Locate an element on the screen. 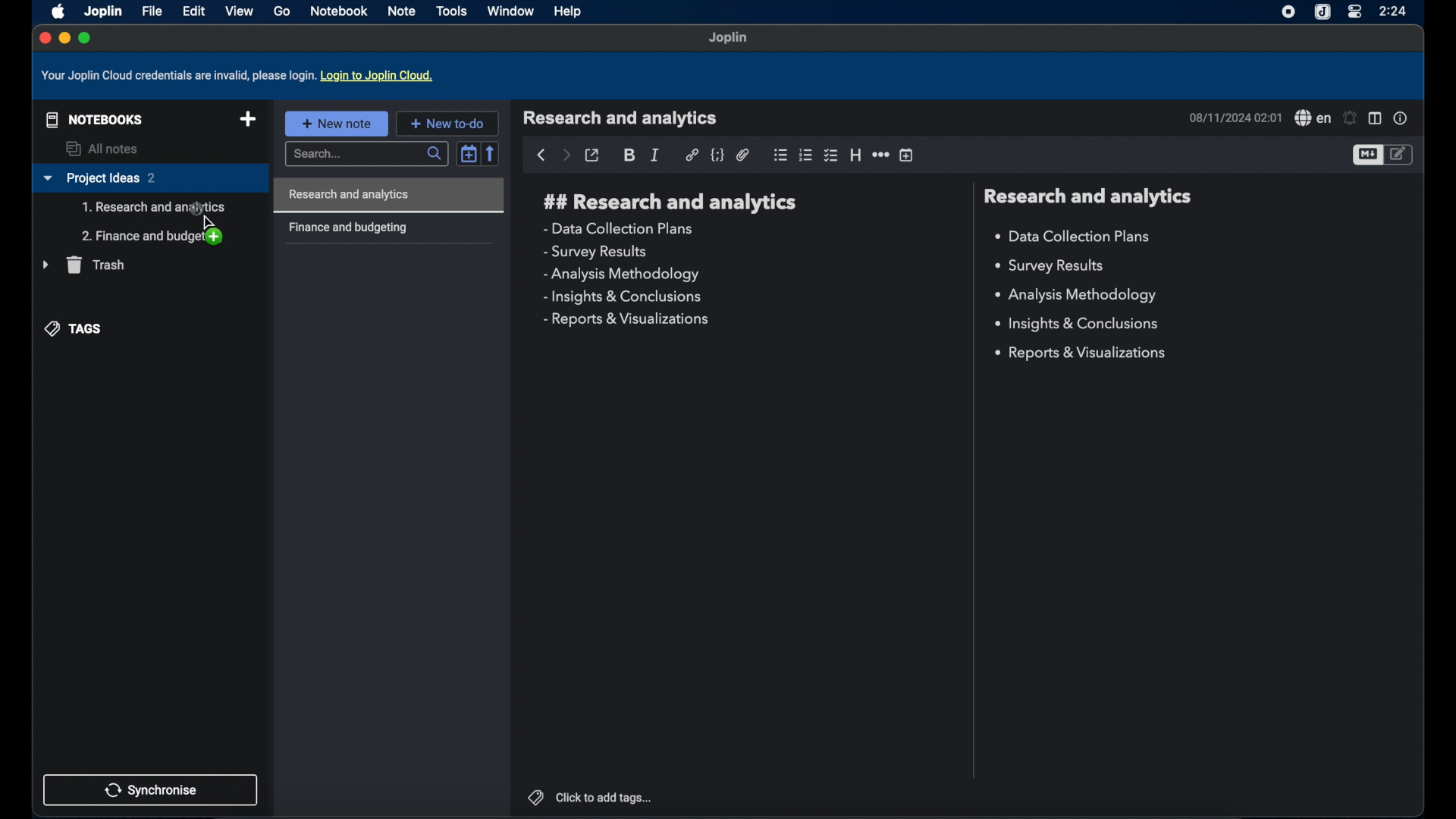 The height and width of the screenshot is (819, 1456). file is located at coordinates (152, 11).